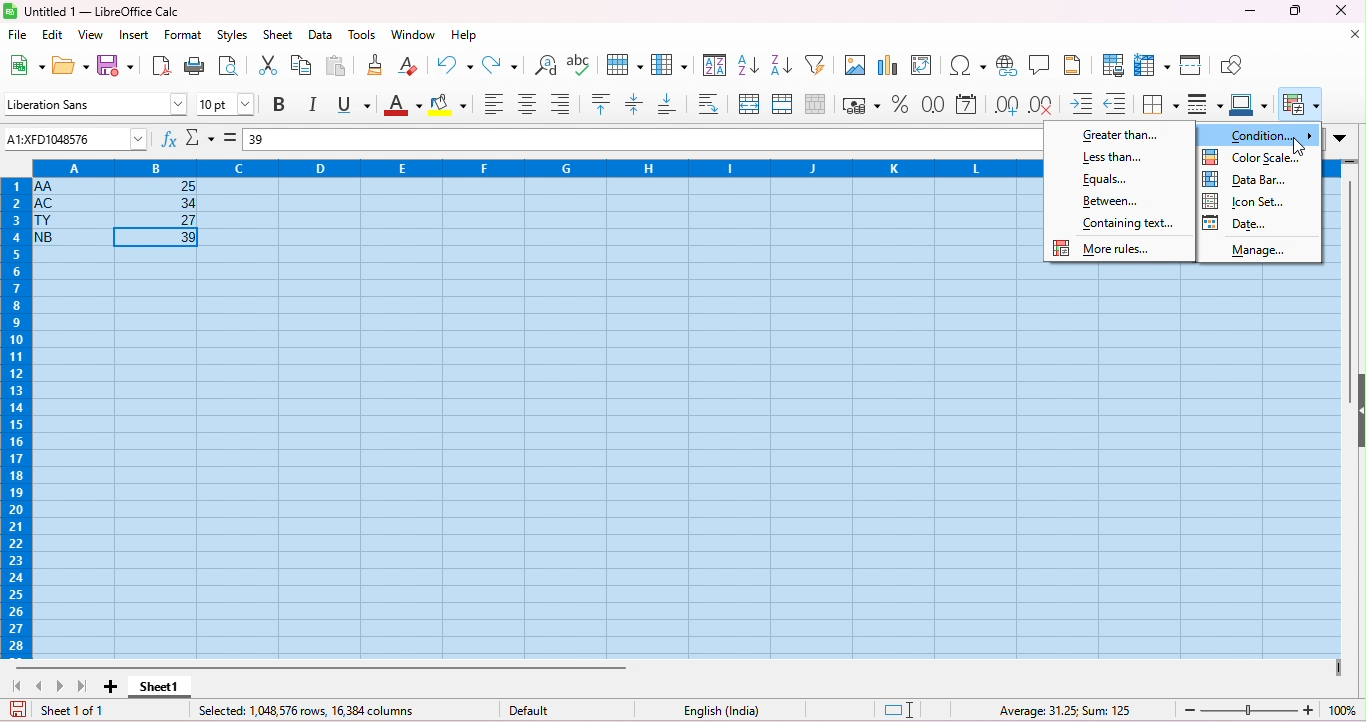 The image size is (1366, 722). Describe the element at coordinates (899, 711) in the screenshot. I see `standard selection` at that location.